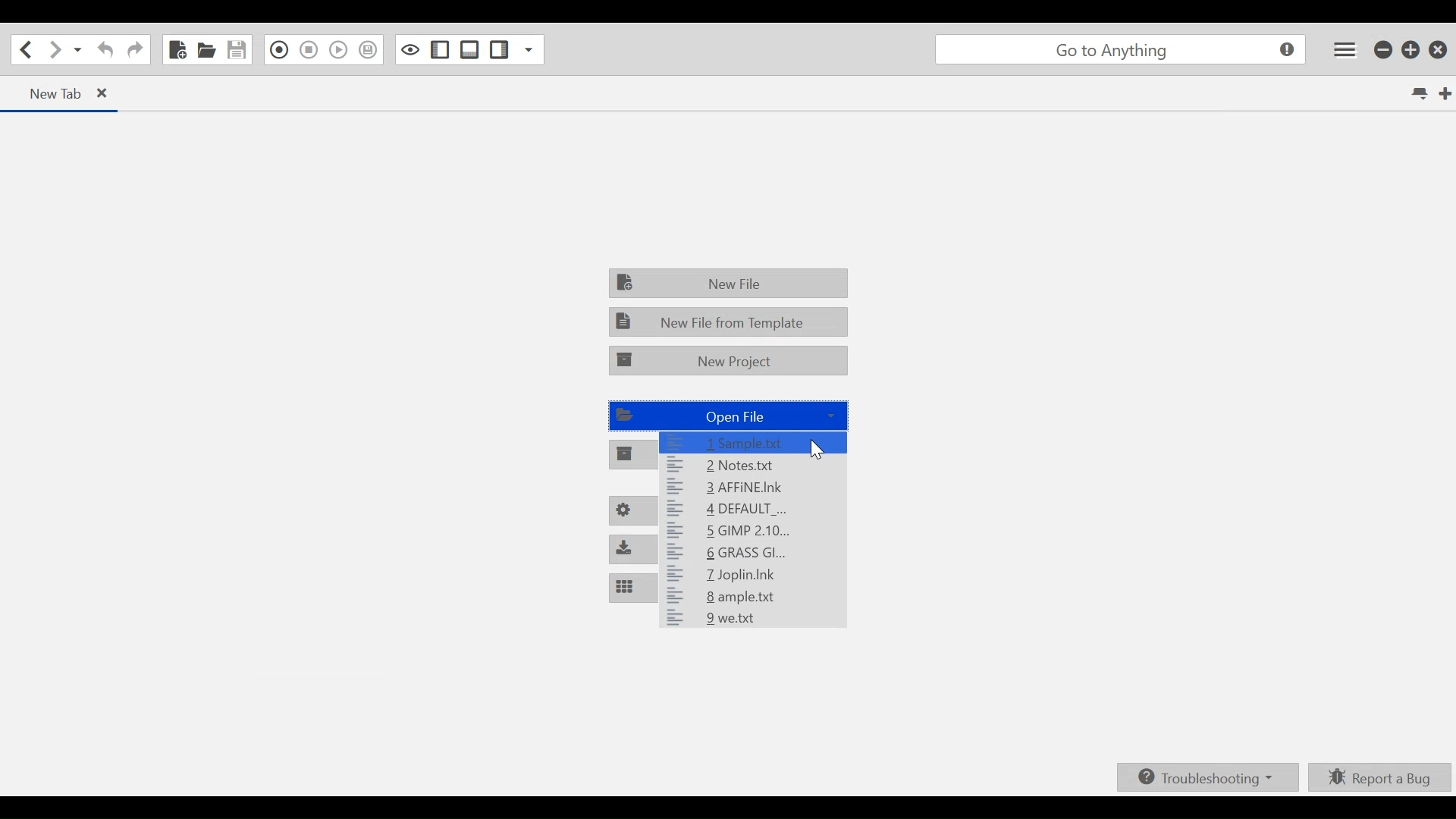 This screenshot has width=1456, height=819. Describe the element at coordinates (103, 50) in the screenshot. I see `undo` at that location.